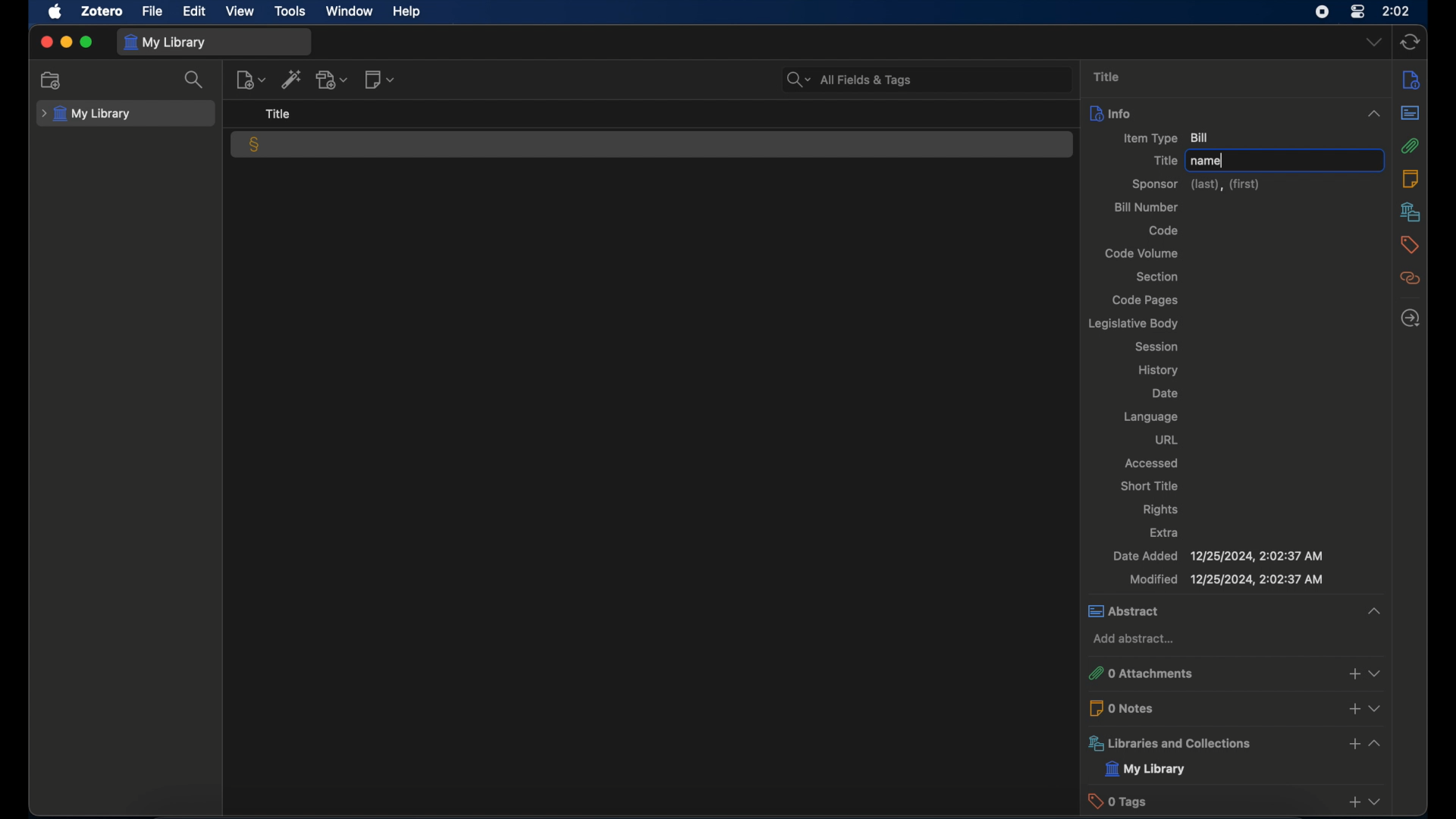 The width and height of the screenshot is (1456, 819). Describe the element at coordinates (333, 79) in the screenshot. I see `add attachment` at that location.